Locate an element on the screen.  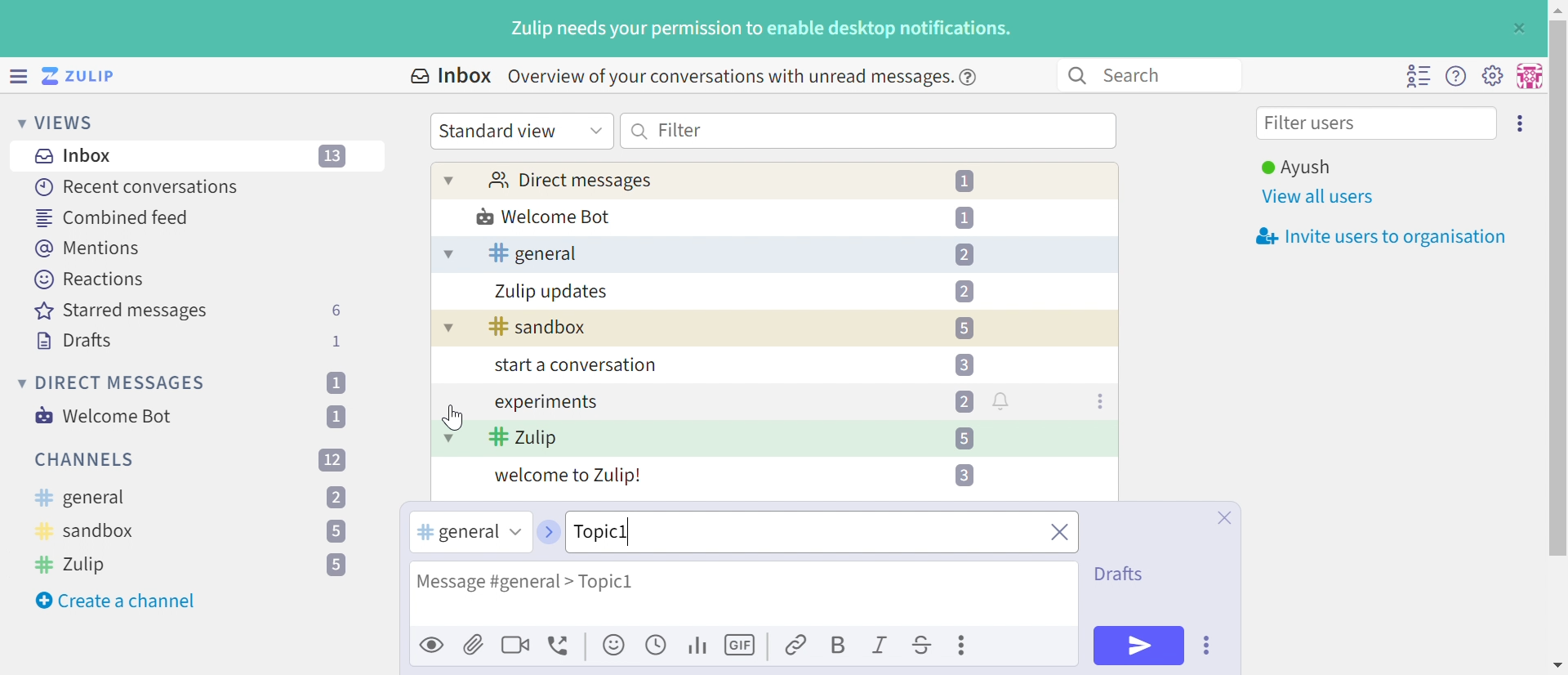
Polls is located at coordinates (699, 644).